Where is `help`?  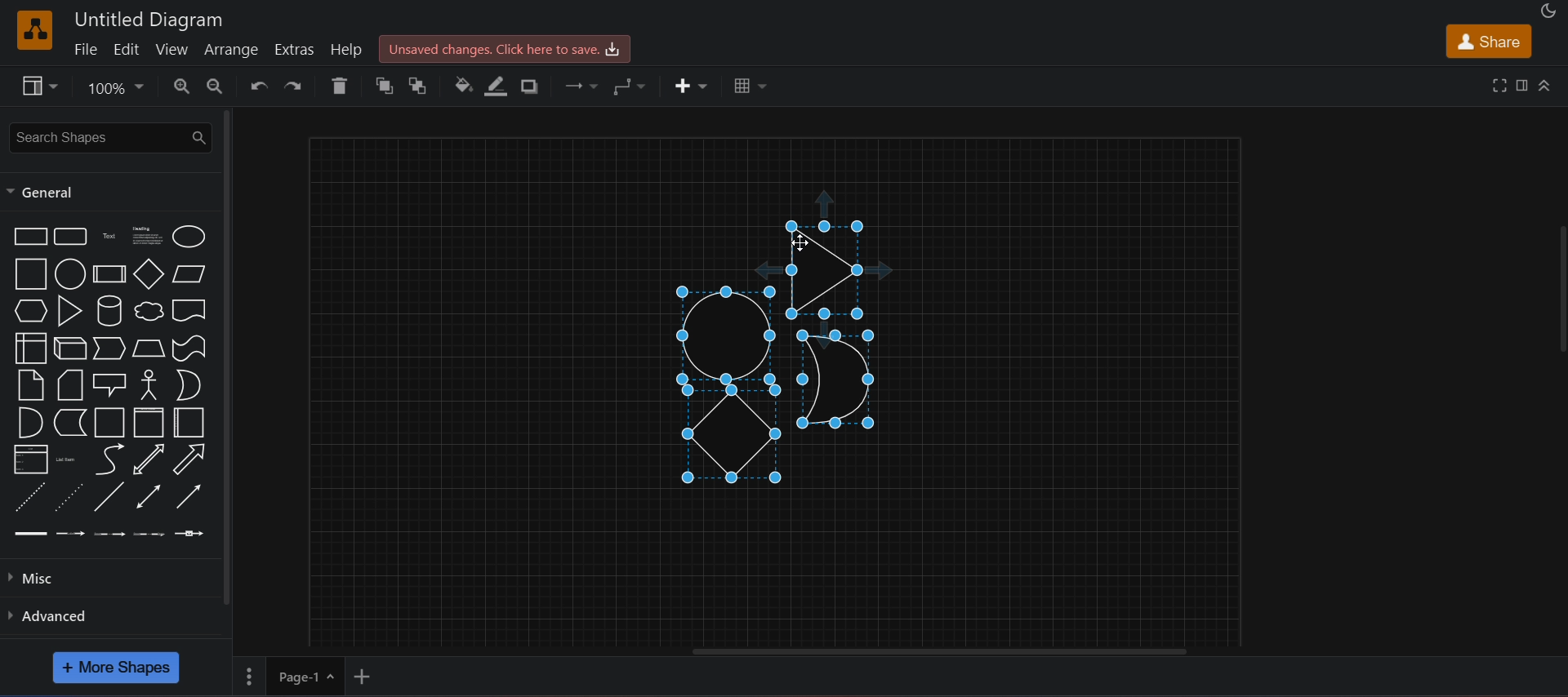 help is located at coordinates (346, 50).